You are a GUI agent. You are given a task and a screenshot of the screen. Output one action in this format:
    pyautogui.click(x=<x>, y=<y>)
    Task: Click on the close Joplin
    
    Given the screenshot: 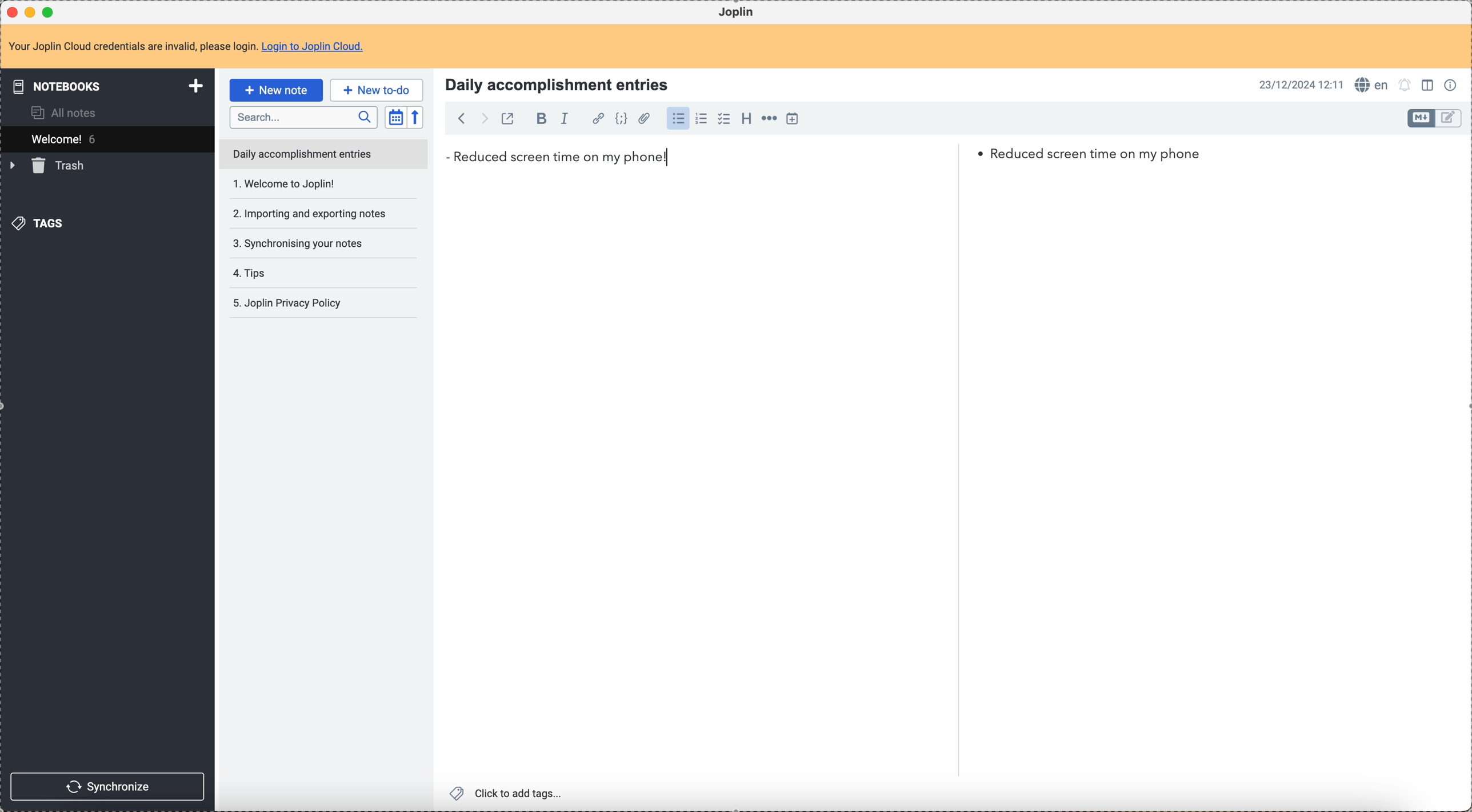 What is the action you would take?
    pyautogui.click(x=14, y=12)
    